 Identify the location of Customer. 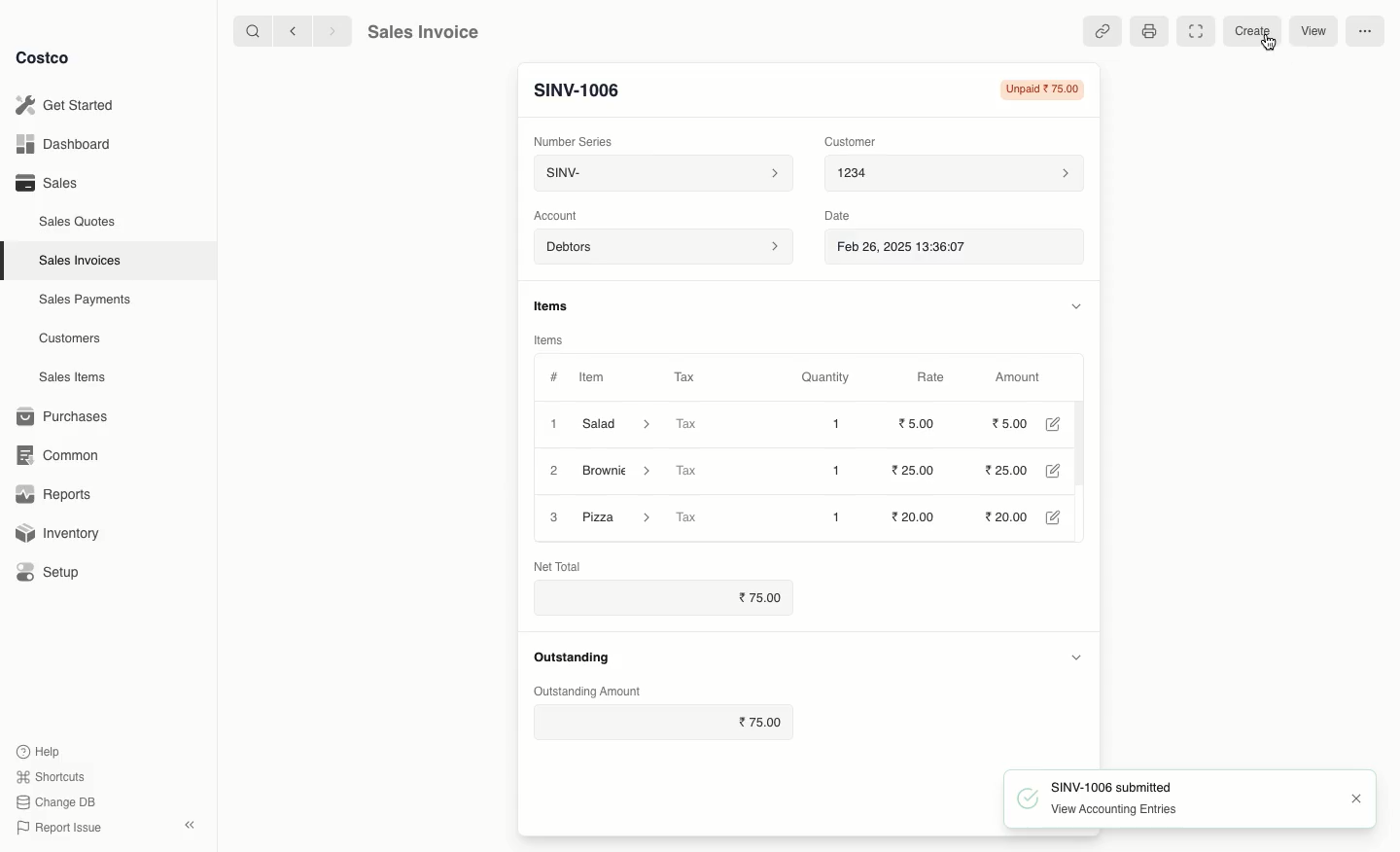
(849, 140).